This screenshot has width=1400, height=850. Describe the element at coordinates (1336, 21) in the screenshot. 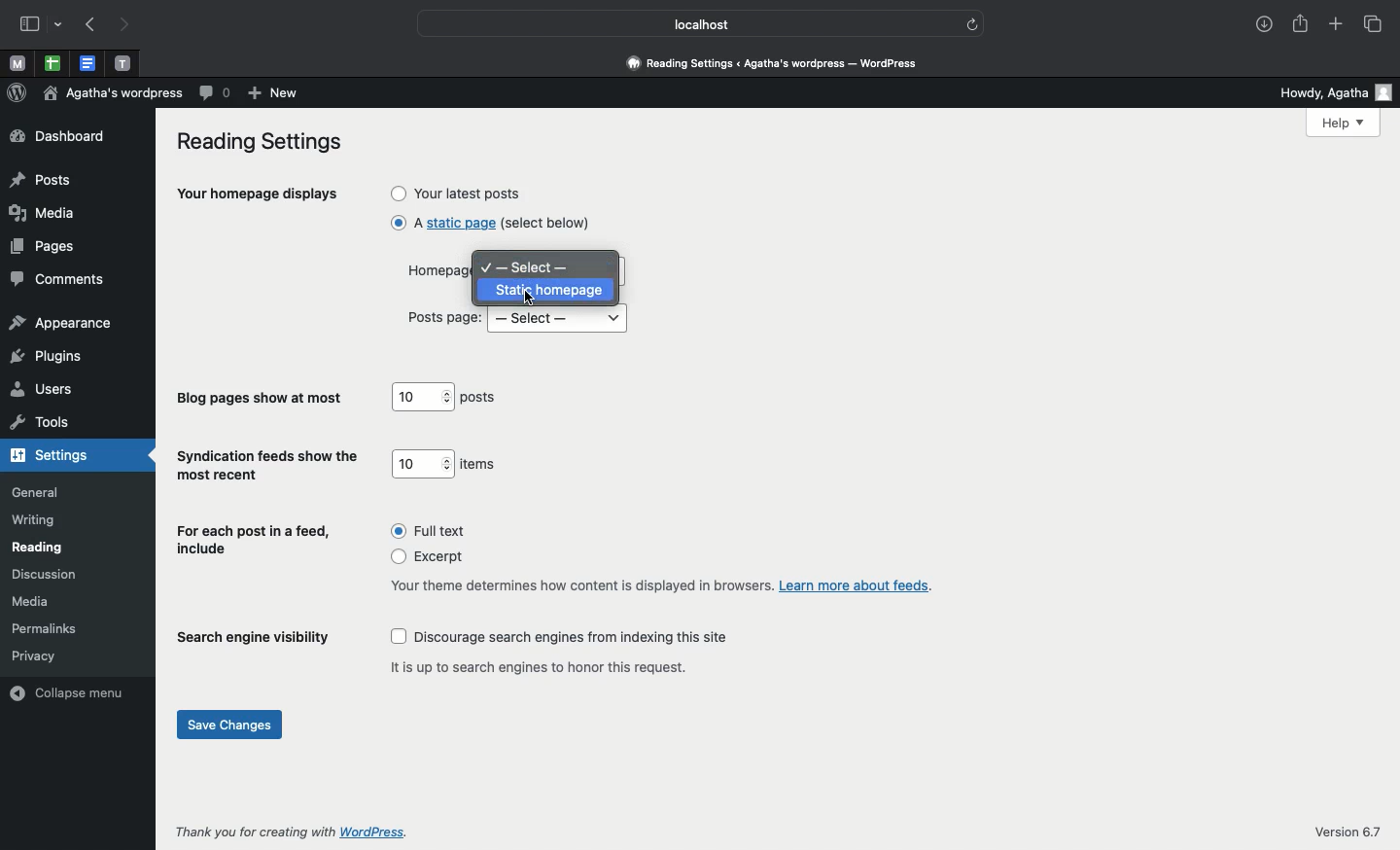

I see `Add new tab` at that location.